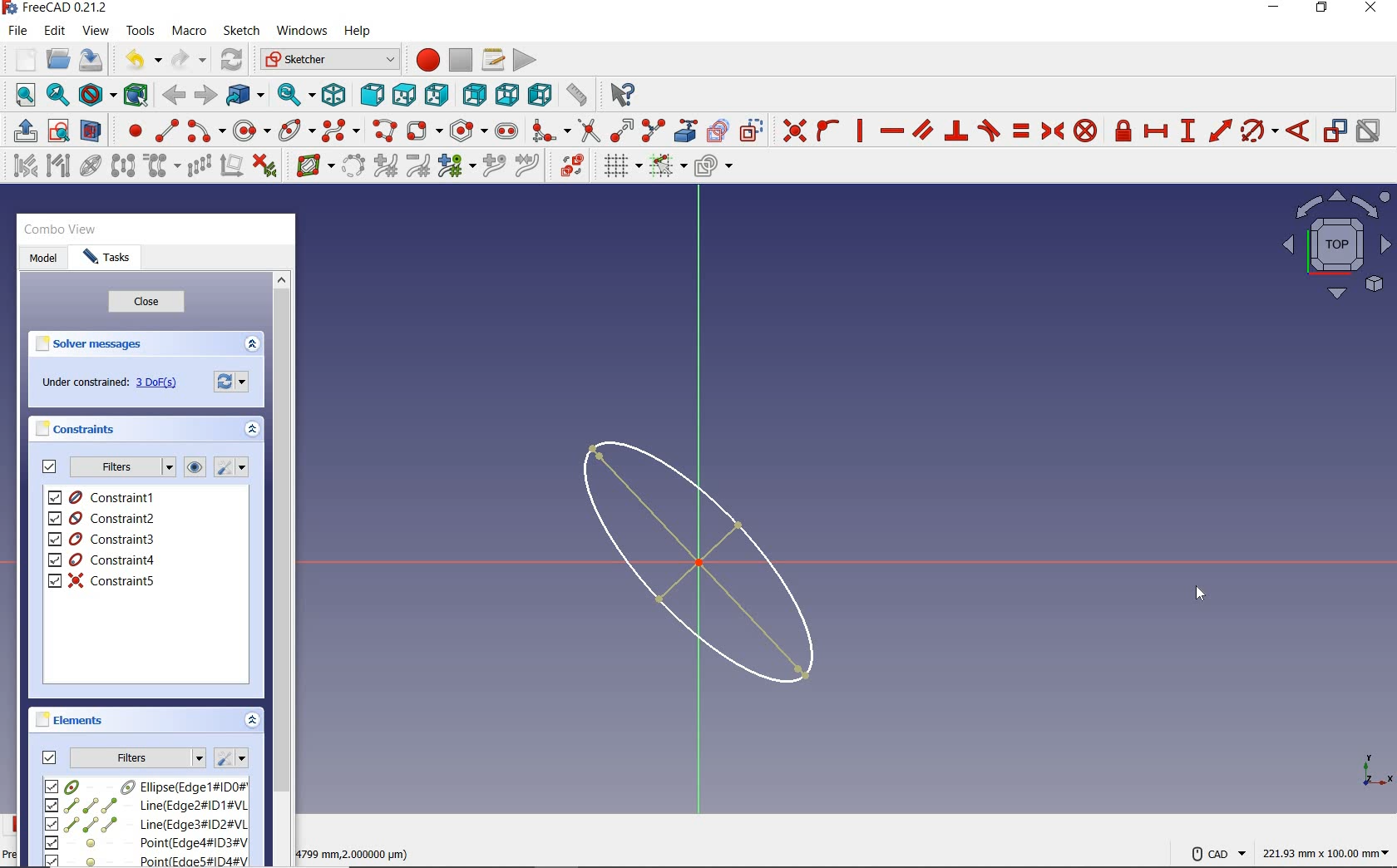  I want to click on create slot, so click(505, 130).